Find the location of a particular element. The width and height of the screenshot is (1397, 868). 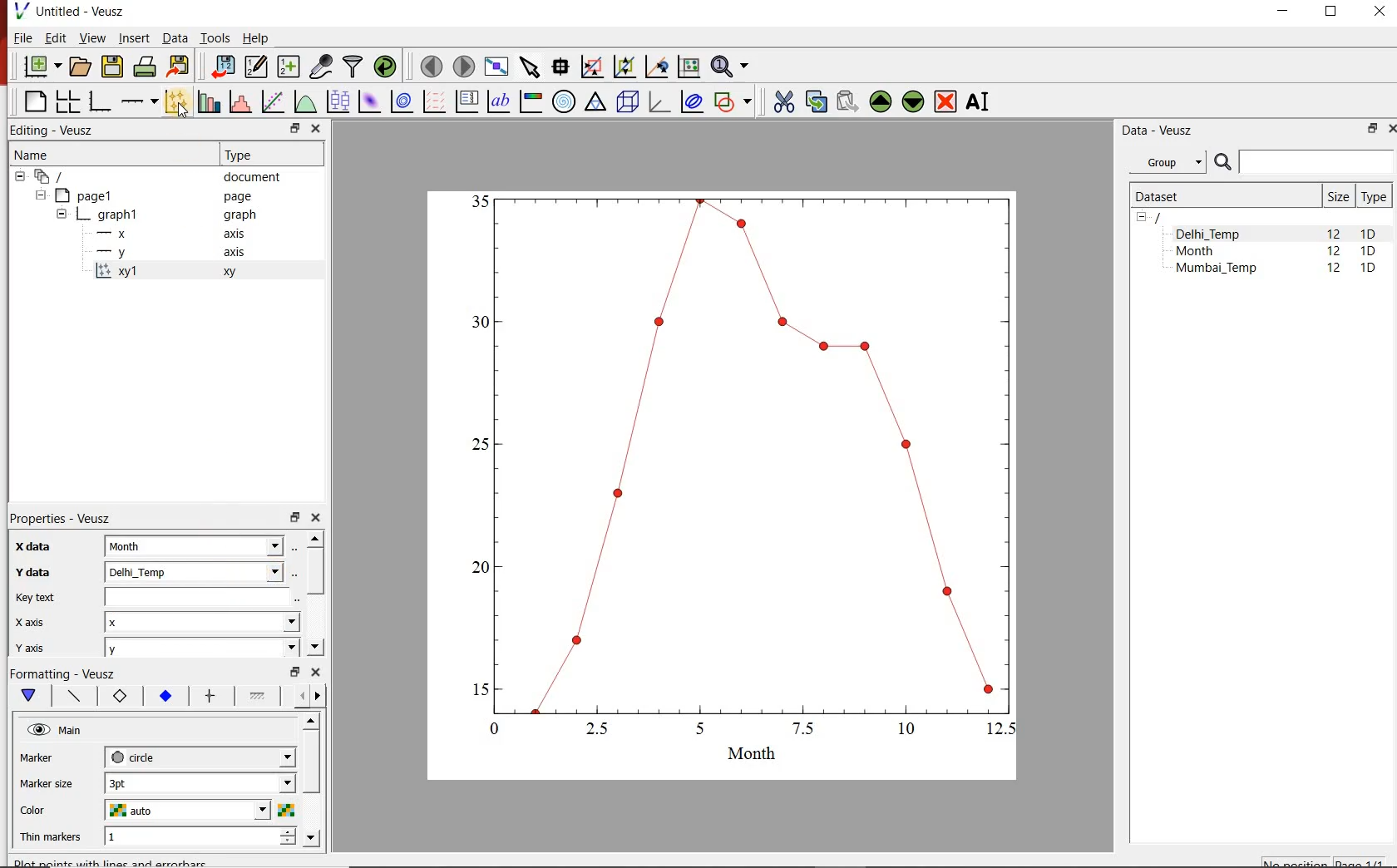

print the document is located at coordinates (145, 67).